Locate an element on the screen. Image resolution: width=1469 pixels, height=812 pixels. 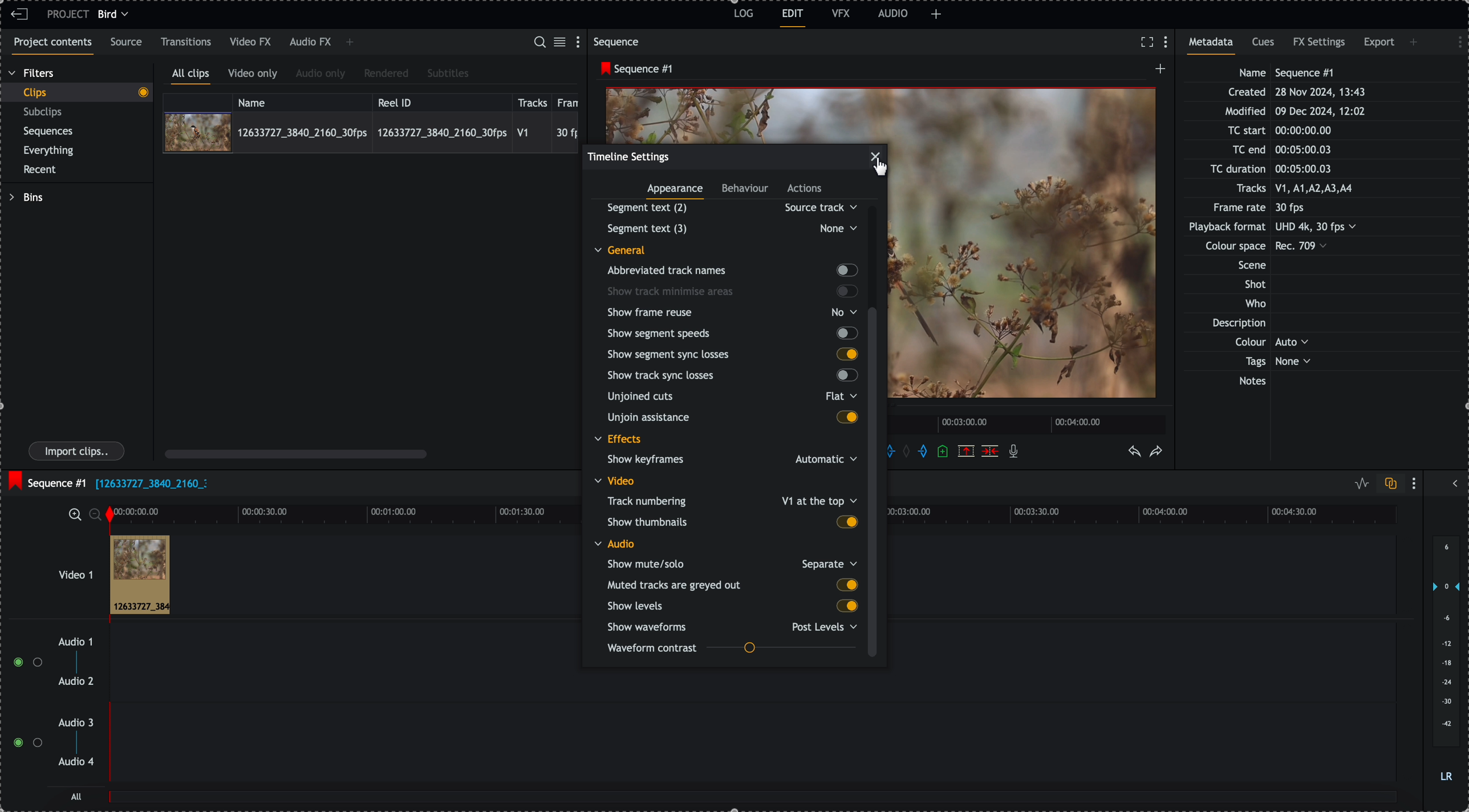
toggle between list and tile view is located at coordinates (562, 43).